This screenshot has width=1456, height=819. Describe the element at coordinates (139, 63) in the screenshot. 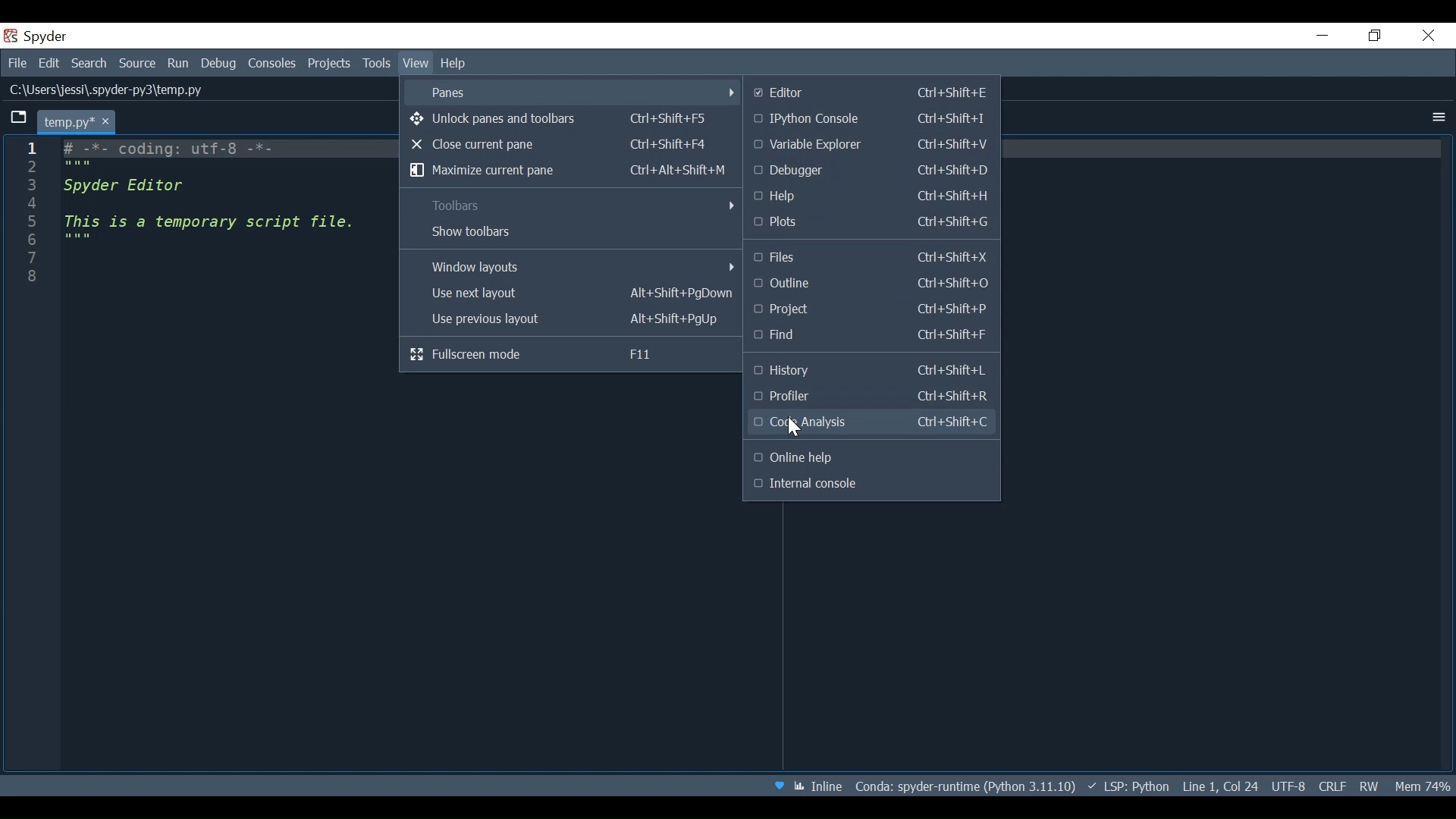

I see `Source` at that location.